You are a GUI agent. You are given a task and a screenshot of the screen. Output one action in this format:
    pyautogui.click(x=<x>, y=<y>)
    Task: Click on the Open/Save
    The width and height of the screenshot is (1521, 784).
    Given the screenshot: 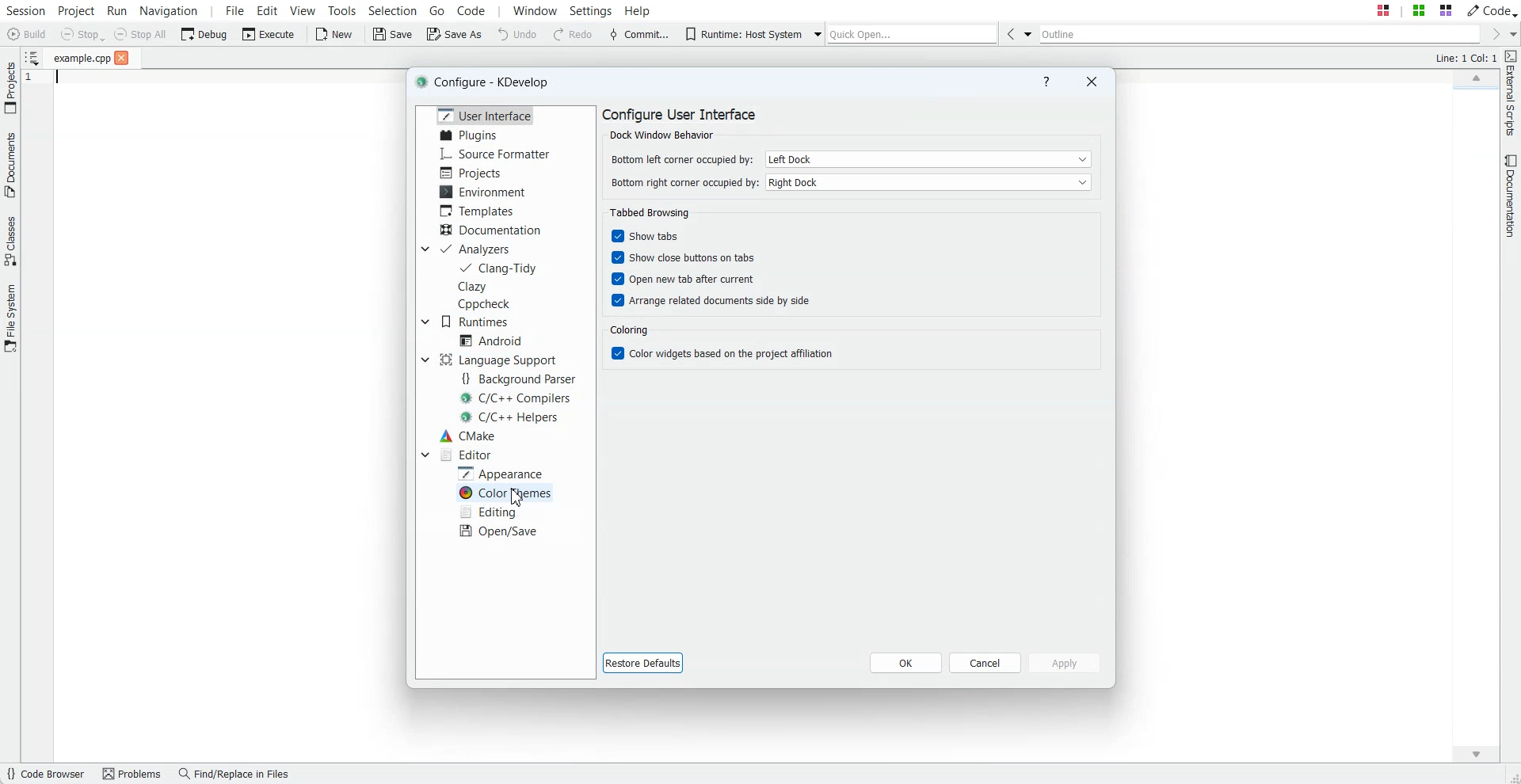 What is the action you would take?
    pyautogui.click(x=499, y=531)
    